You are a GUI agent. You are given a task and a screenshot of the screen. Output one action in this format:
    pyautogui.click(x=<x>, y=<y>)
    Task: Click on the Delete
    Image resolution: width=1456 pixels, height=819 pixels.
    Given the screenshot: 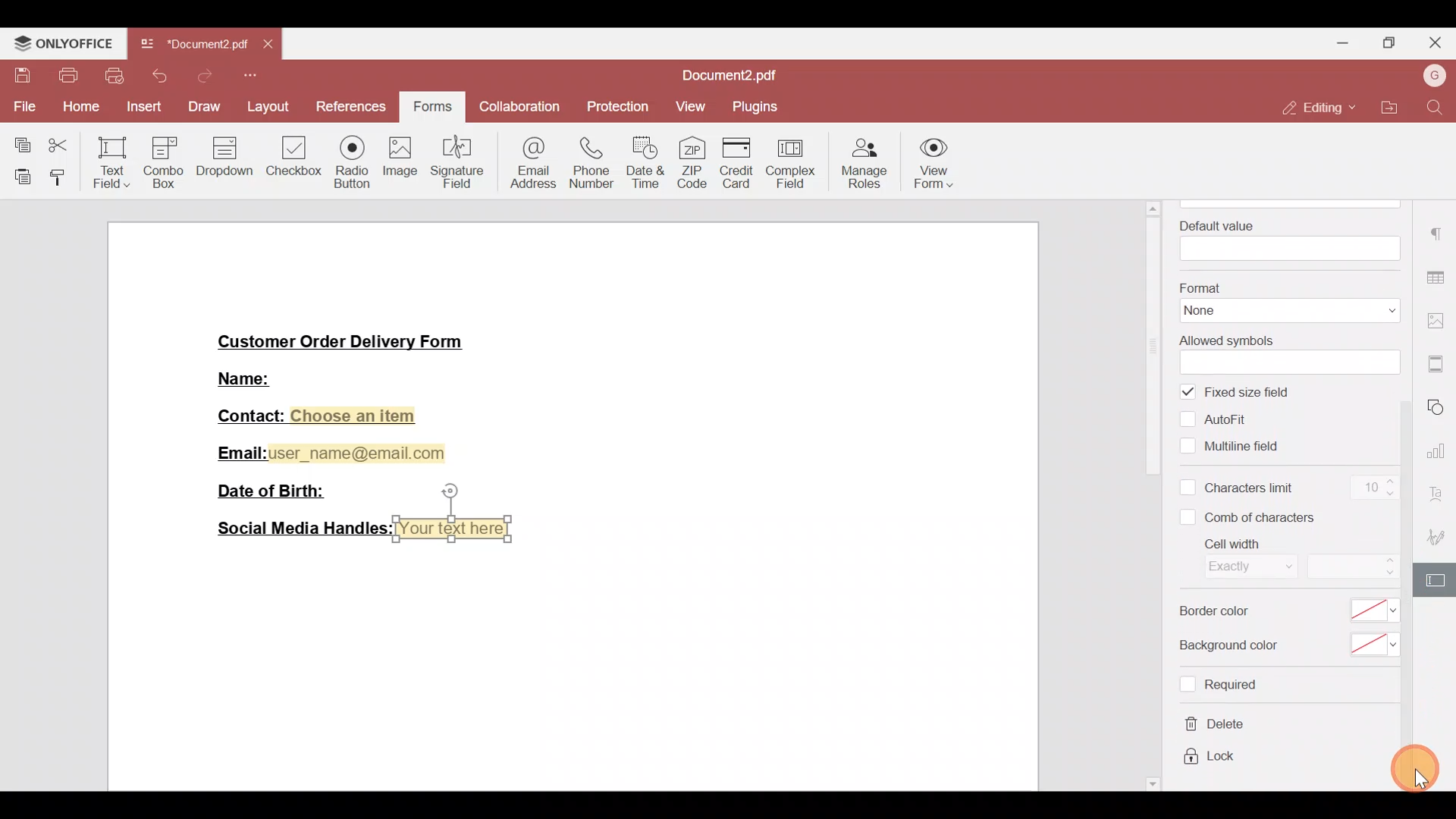 What is the action you would take?
    pyautogui.click(x=1211, y=727)
    